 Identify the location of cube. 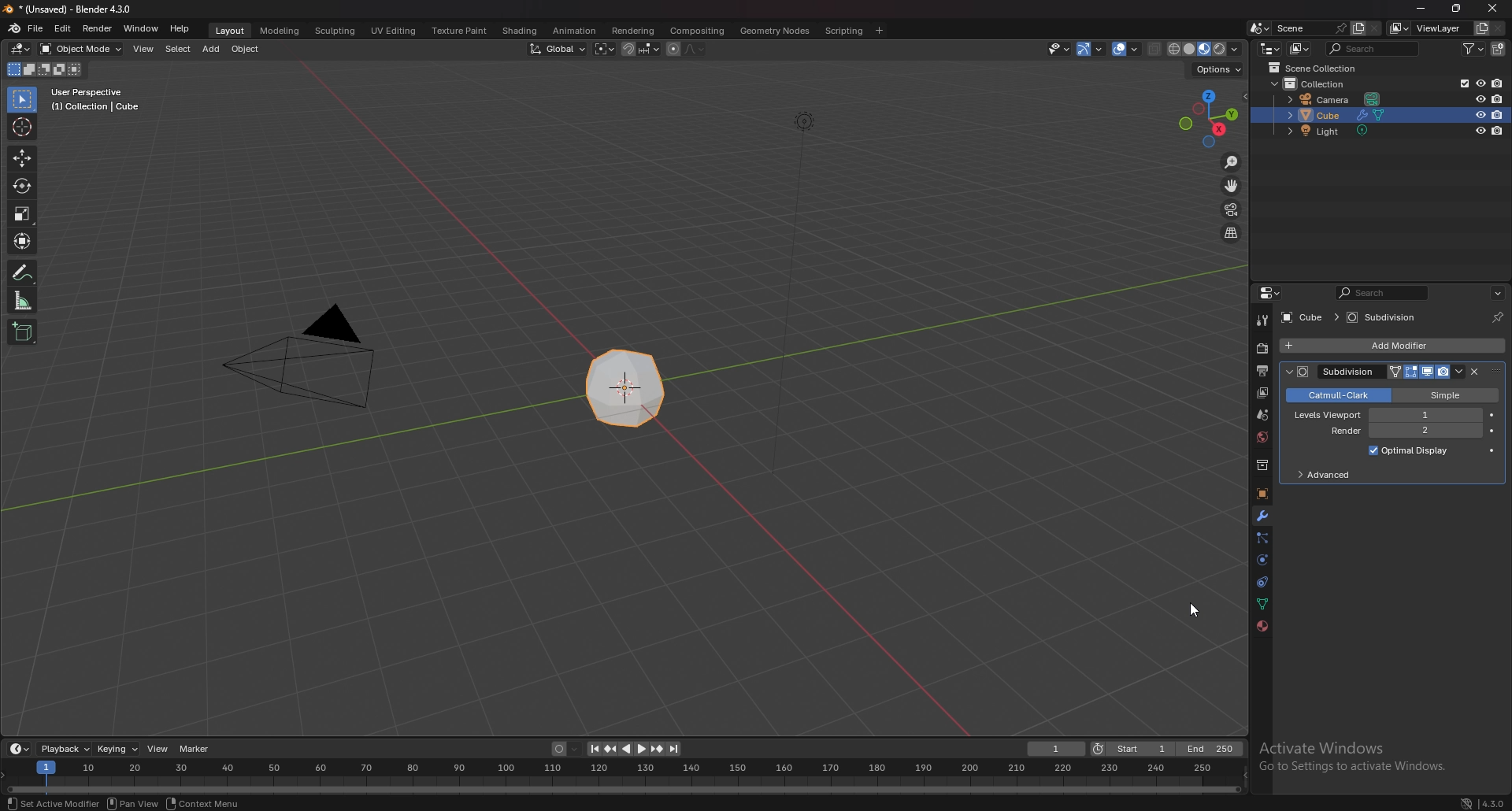
(1345, 115).